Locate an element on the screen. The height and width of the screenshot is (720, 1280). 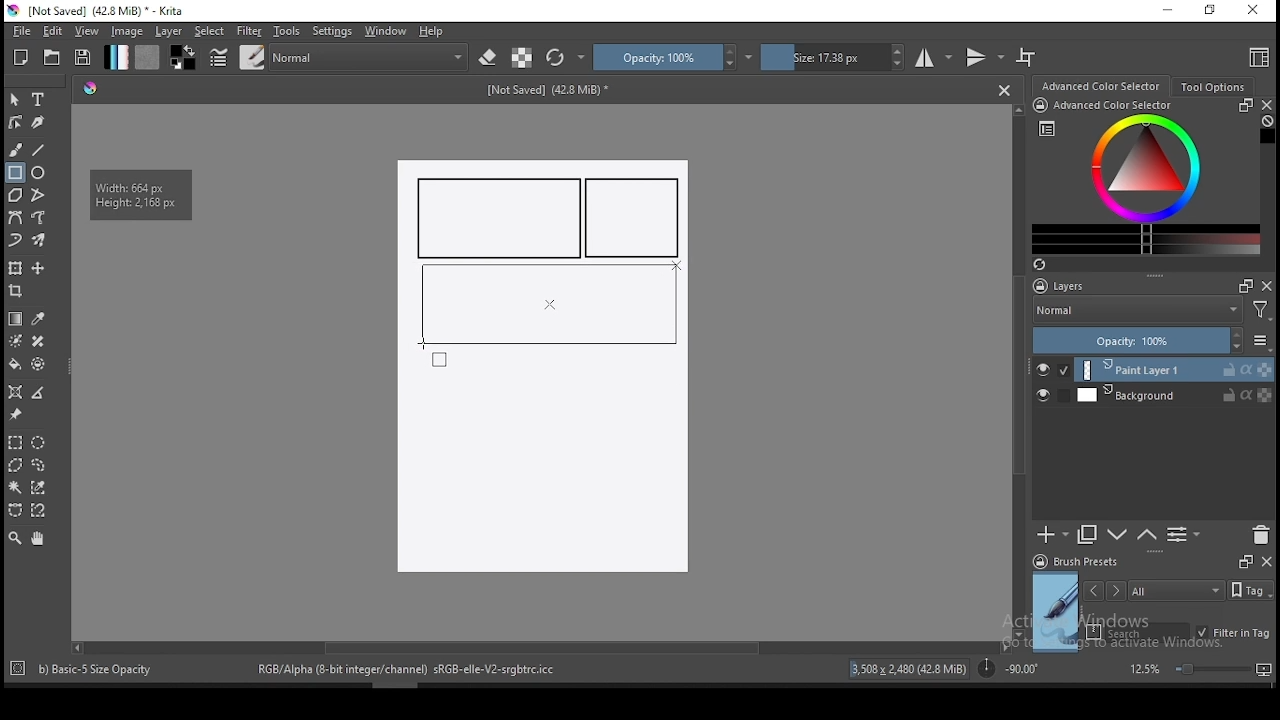
pick a color from image and current layer is located at coordinates (39, 319).